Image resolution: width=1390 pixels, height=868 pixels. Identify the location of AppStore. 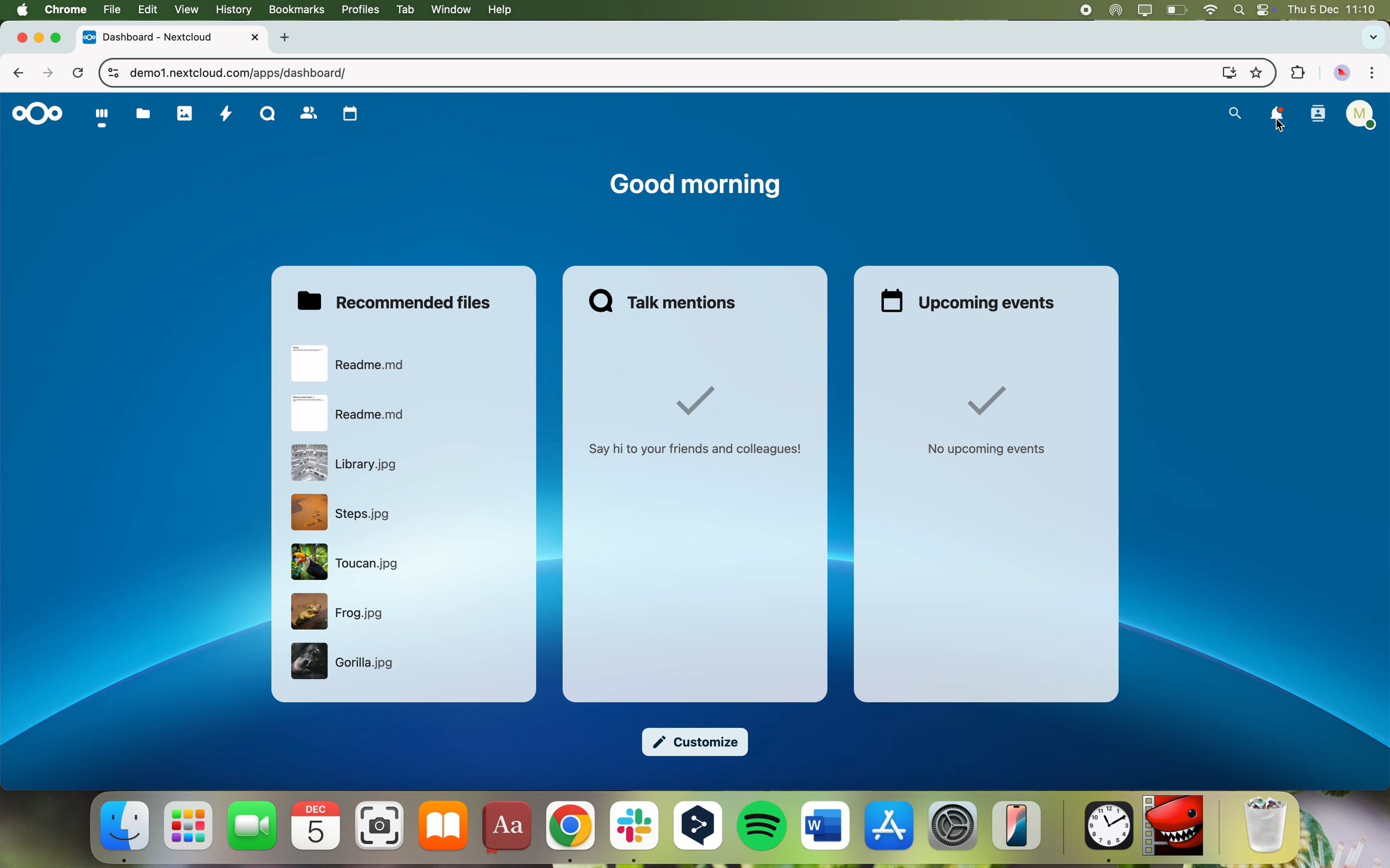
(890, 828).